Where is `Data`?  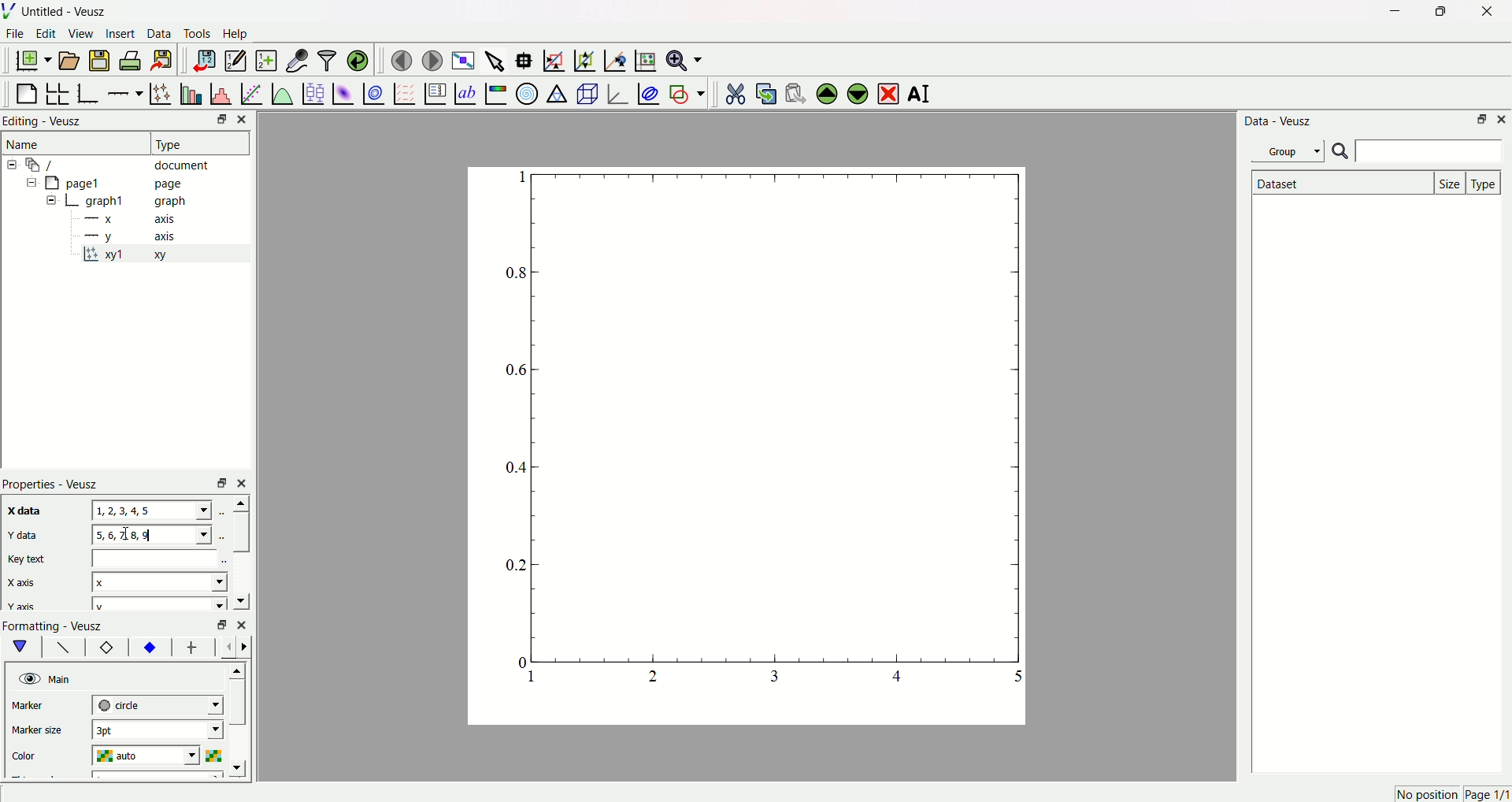
Data is located at coordinates (160, 35).